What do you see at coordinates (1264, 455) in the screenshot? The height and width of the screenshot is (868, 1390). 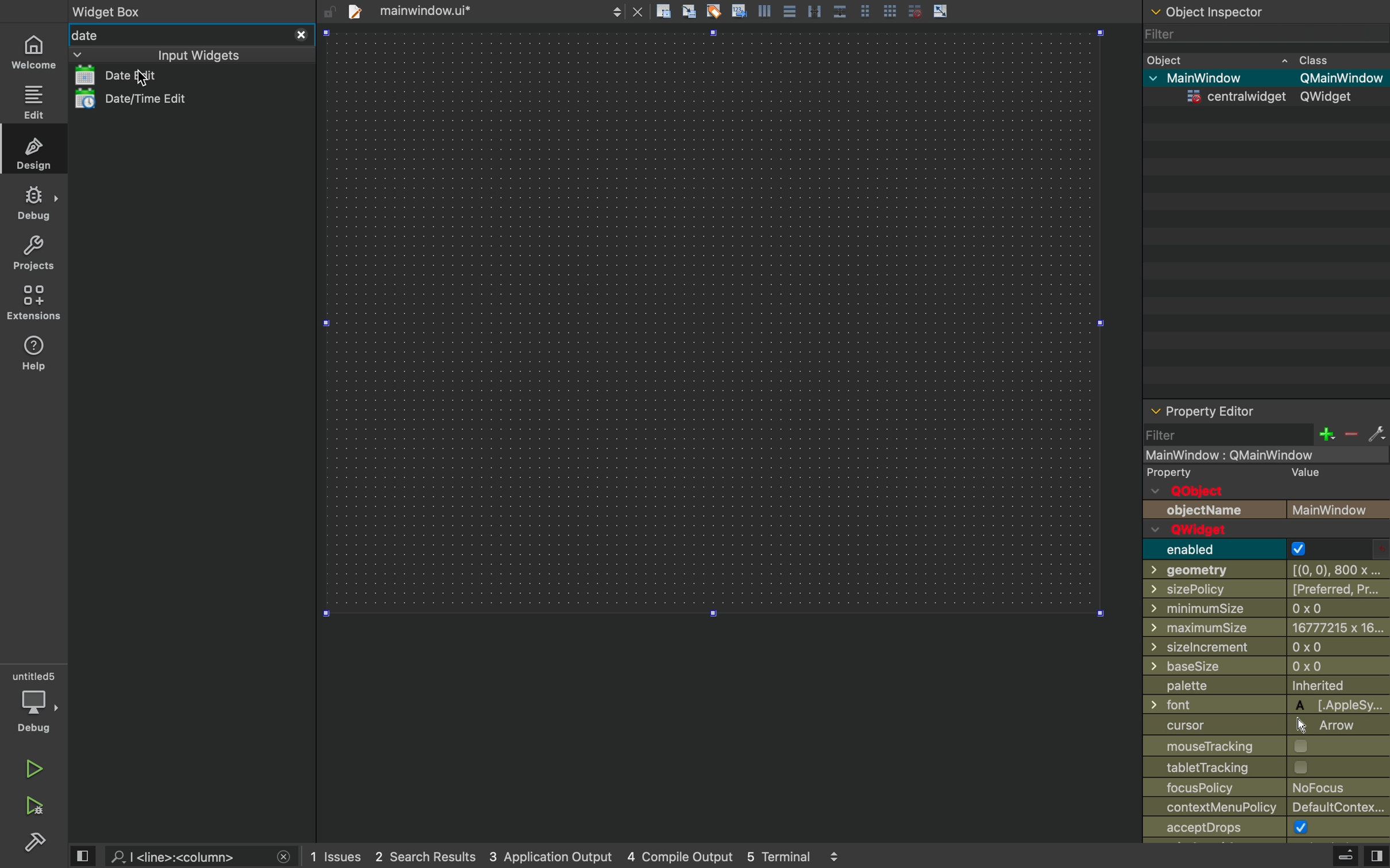 I see `mainwindow` at bounding box center [1264, 455].